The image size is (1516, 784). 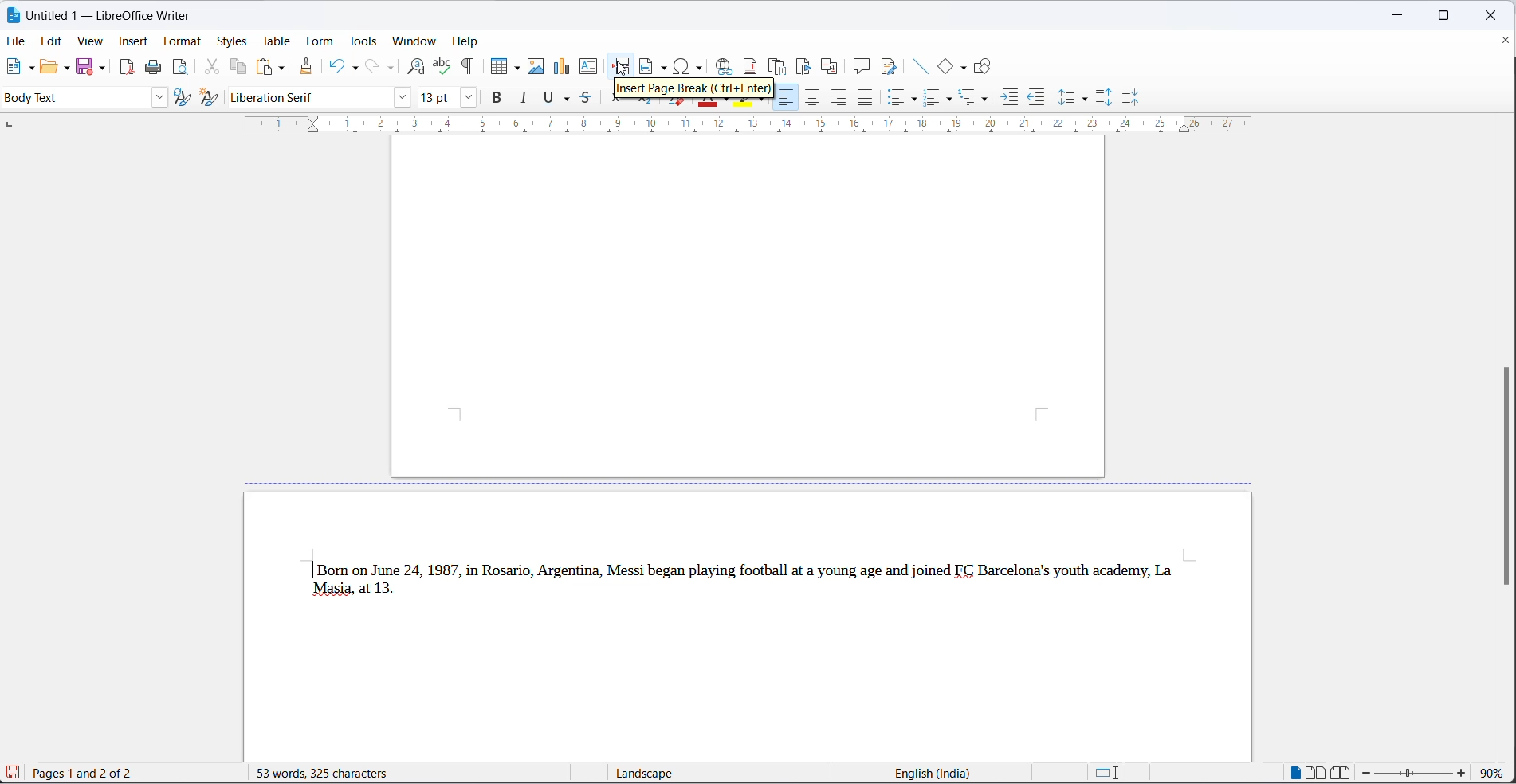 What do you see at coordinates (786, 97) in the screenshot?
I see `t` at bounding box center [786, 97].